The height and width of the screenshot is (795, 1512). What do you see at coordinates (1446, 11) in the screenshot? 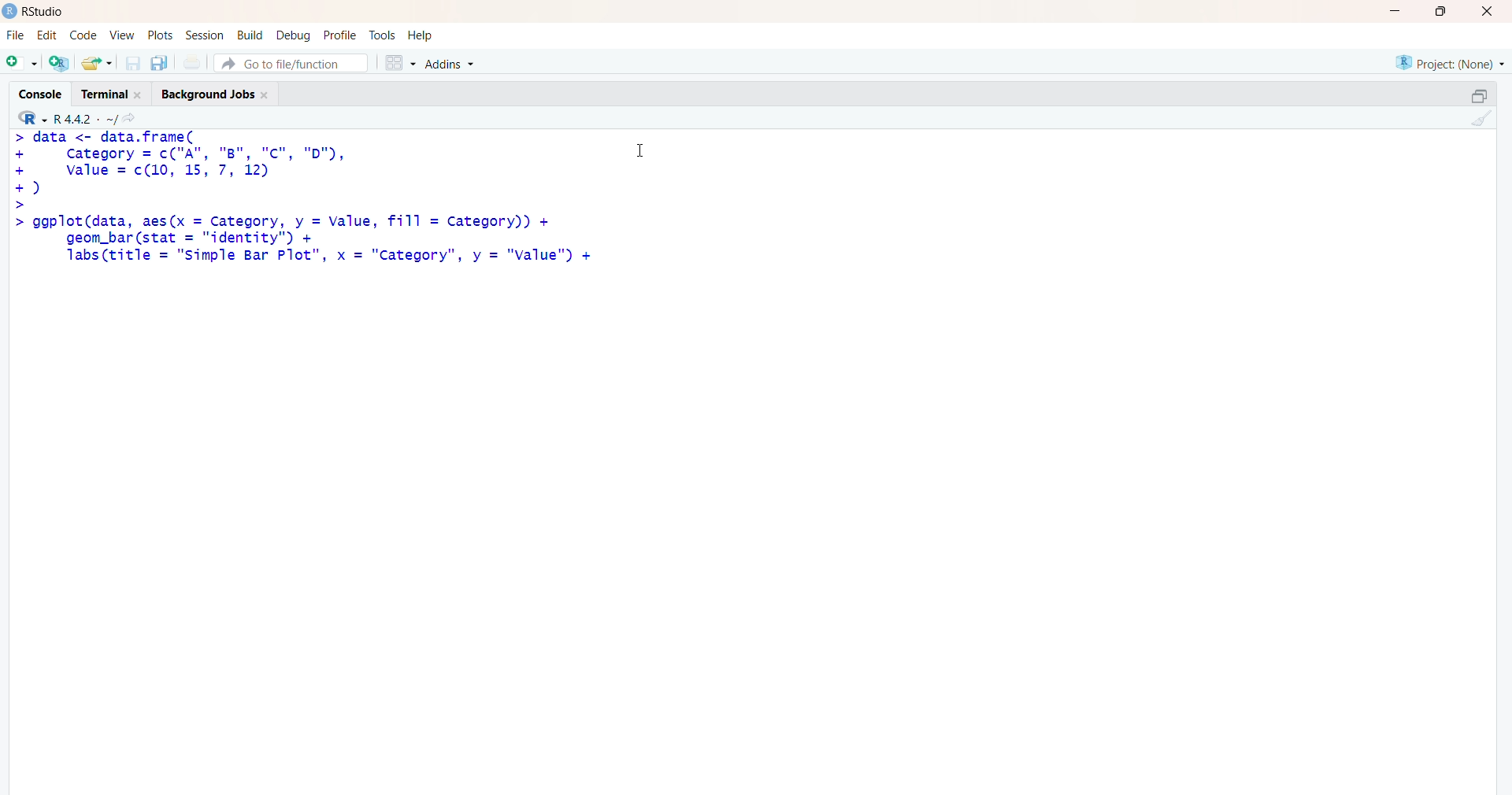
I see `maximize` at bounding box center [1446, 11].